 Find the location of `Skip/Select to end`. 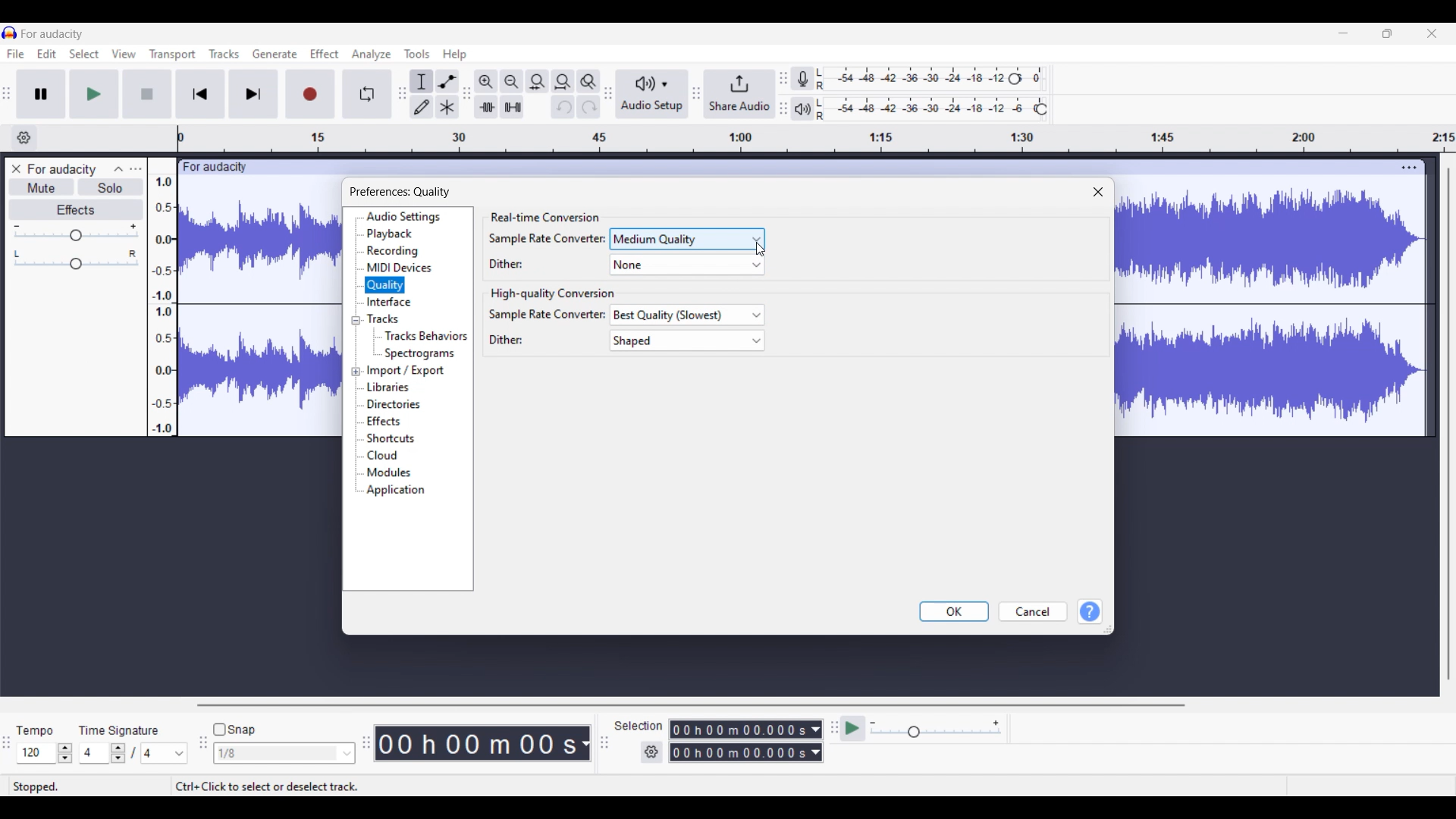

Skip/Select to end is located at coordinates (253, 94).